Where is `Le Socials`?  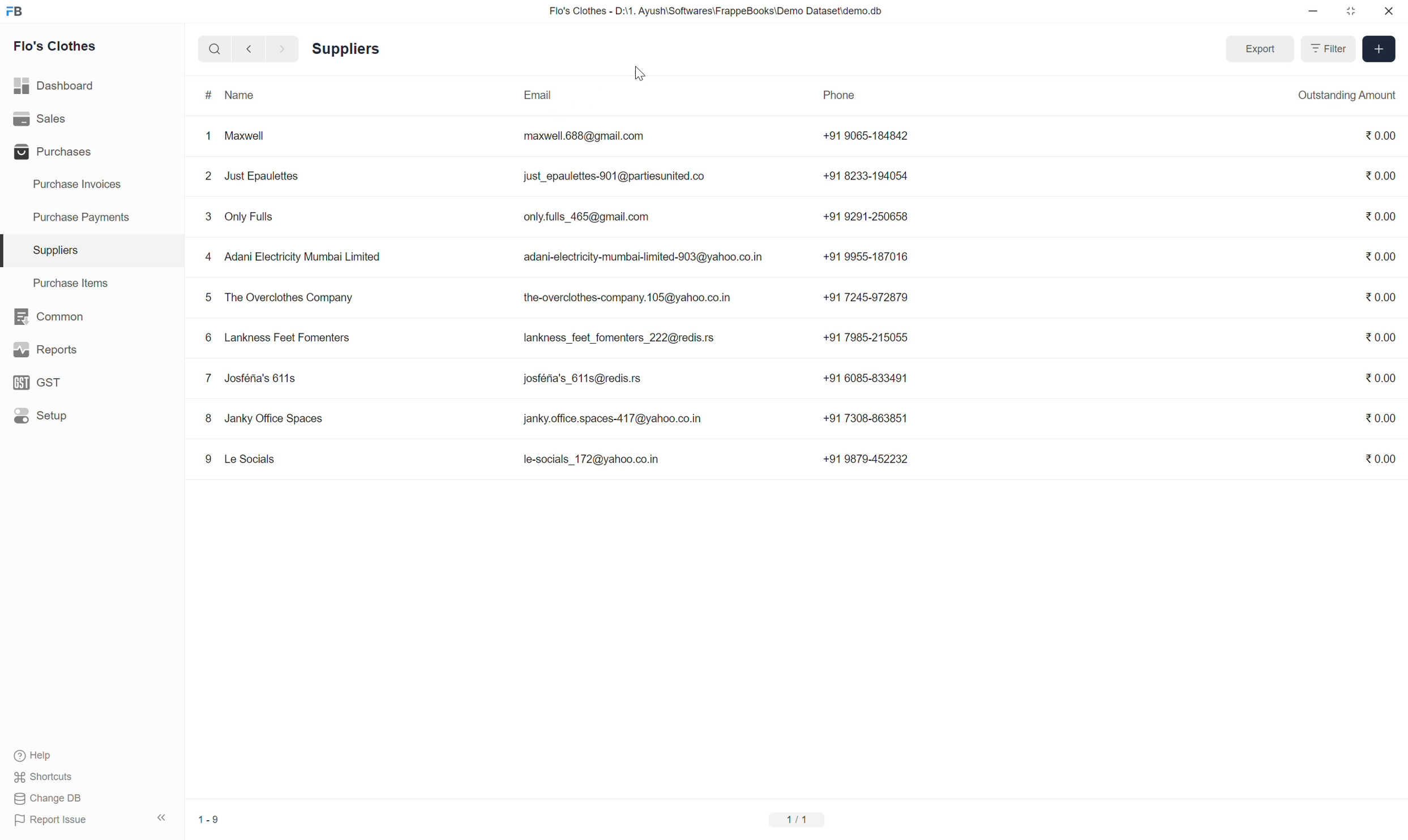
Le Socials is located at coordinates (251, 458).